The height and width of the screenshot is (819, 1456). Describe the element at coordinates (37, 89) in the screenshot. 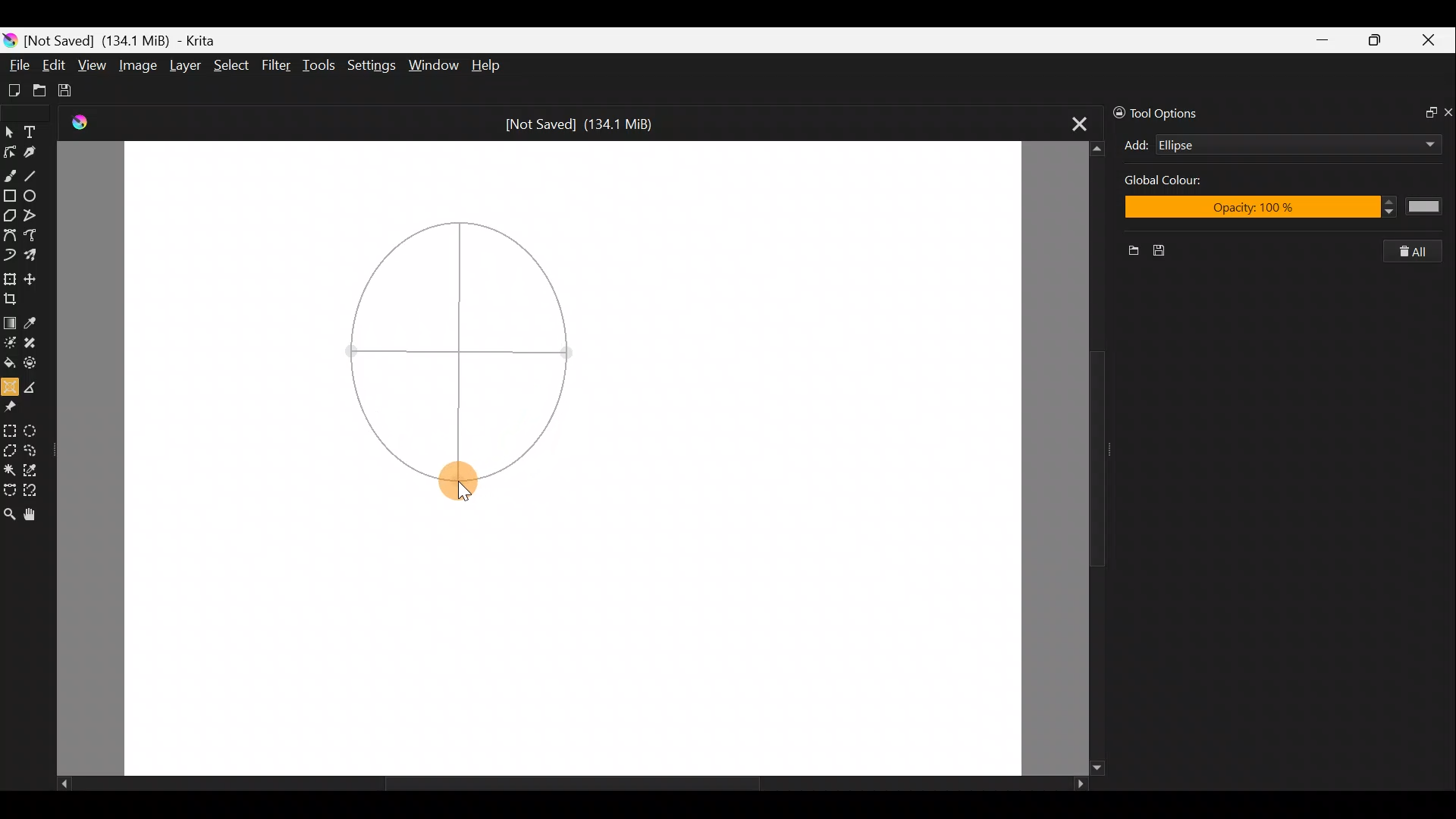

I see `Open existing document` at that location.